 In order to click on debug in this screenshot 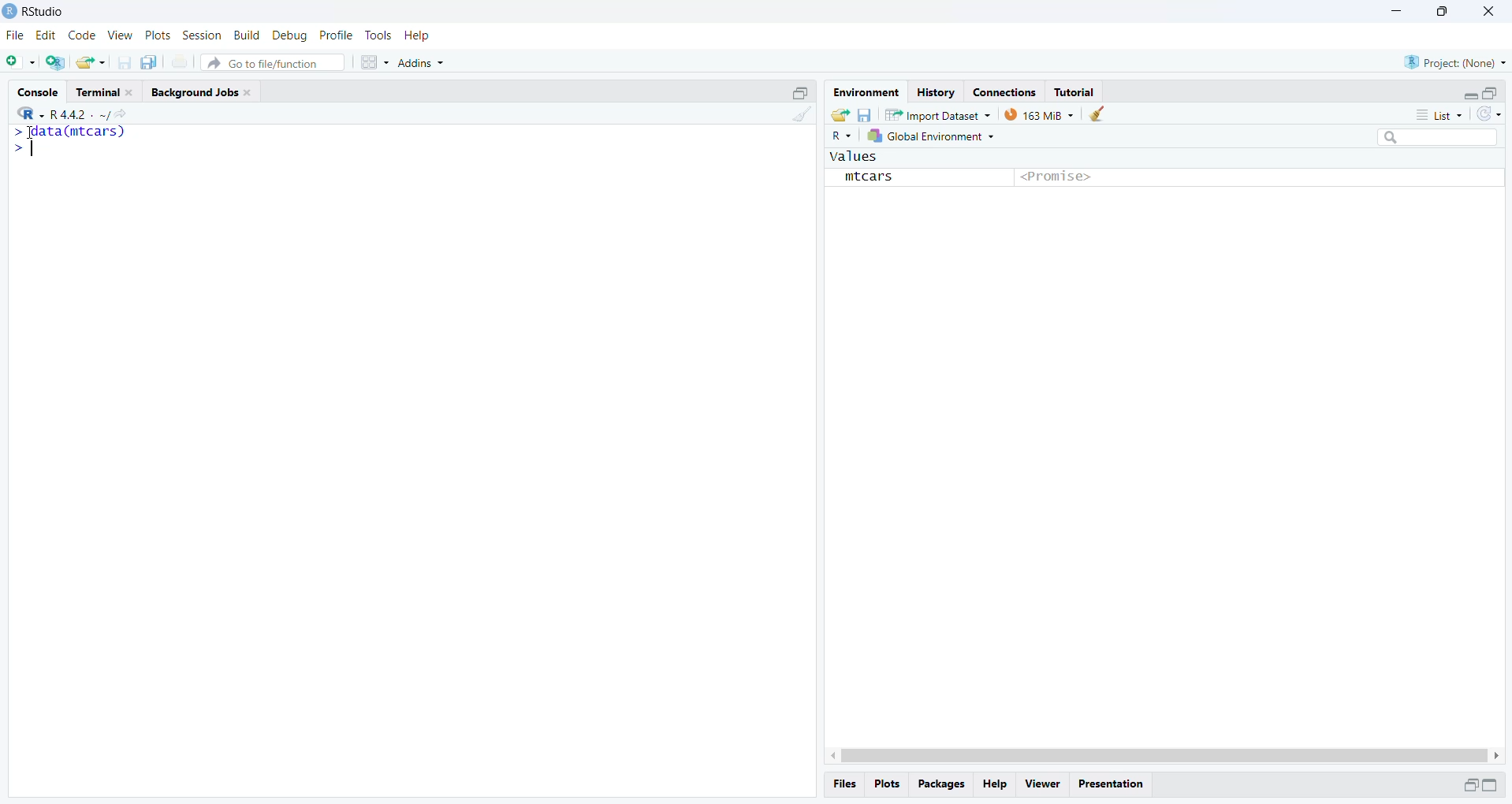, I will do `click(289, 35)`.